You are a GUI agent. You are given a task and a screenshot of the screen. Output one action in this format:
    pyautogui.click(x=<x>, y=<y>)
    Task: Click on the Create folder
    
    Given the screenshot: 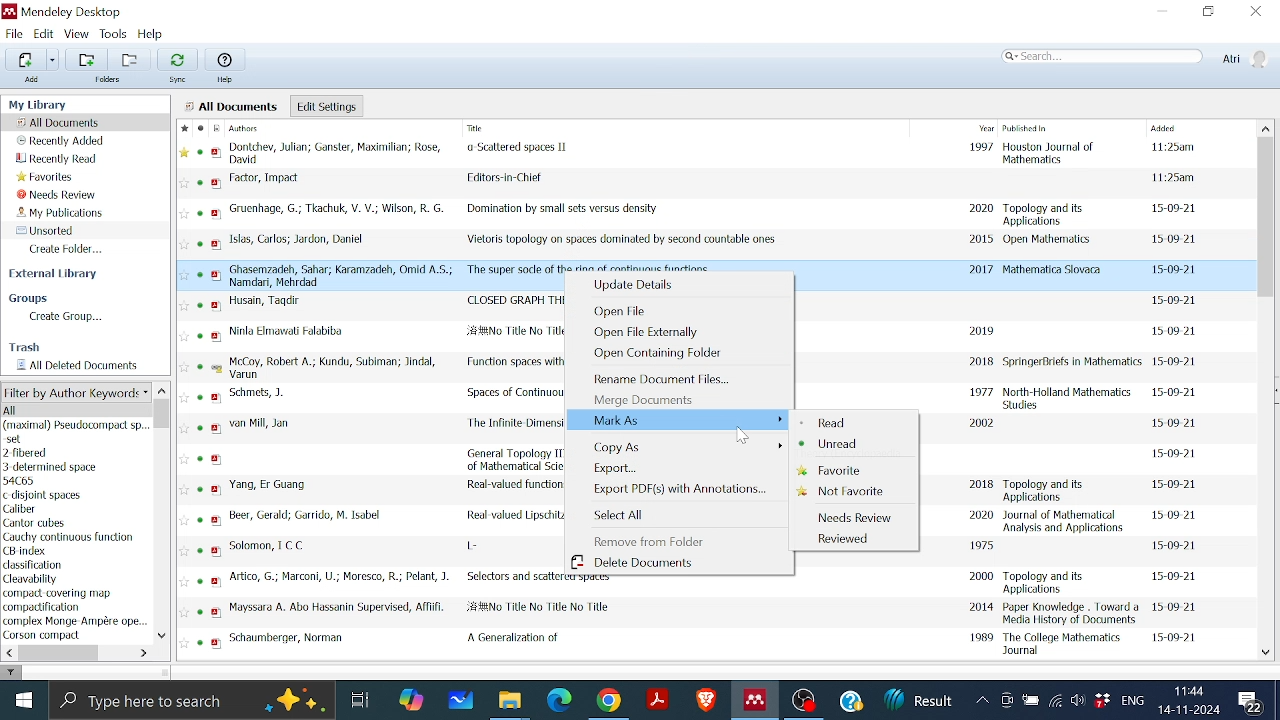 What is the action you would take?
    pyautogui.click(x=63, y=249)
    